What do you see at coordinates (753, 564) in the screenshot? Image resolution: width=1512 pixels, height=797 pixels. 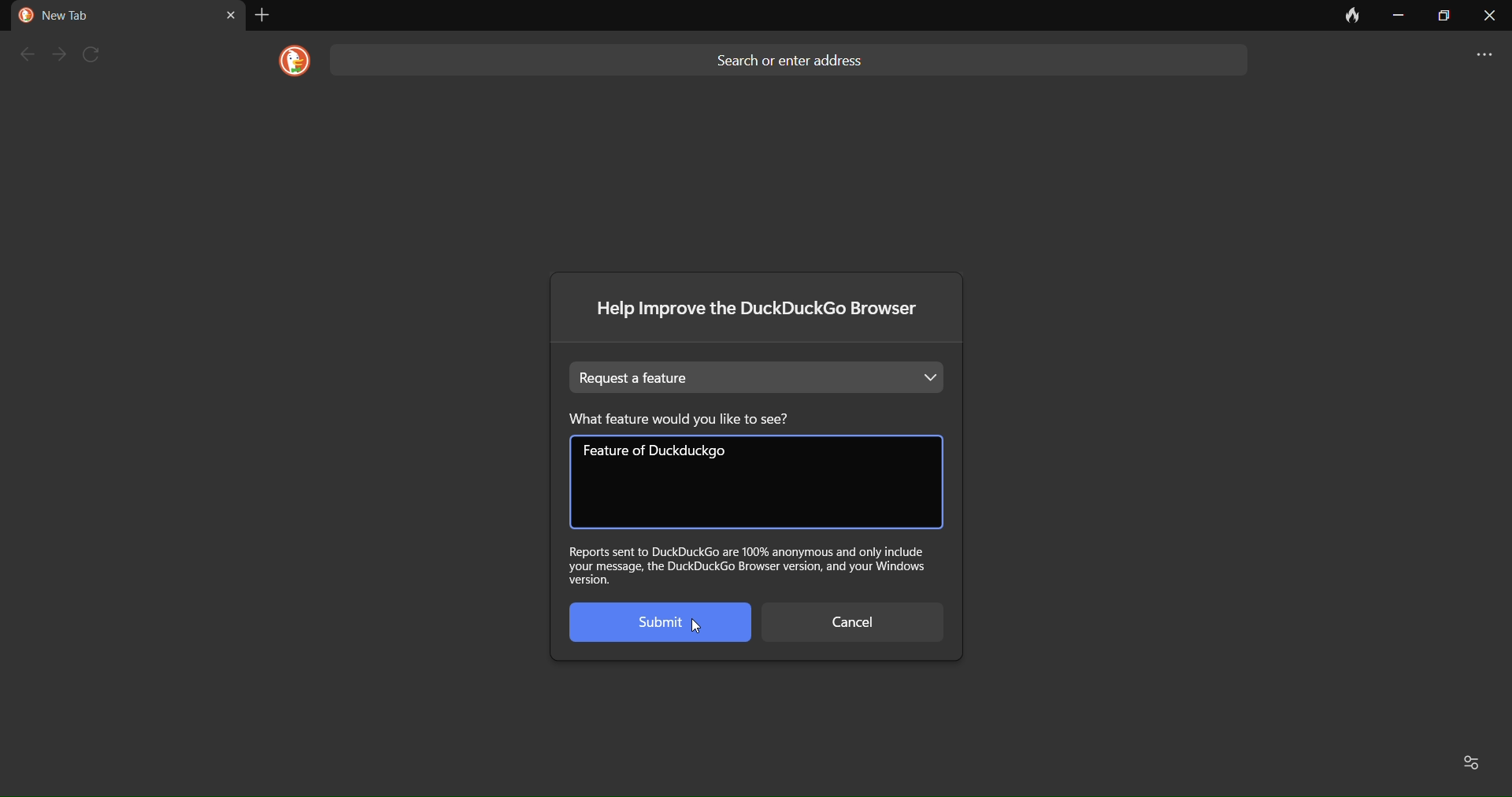 I see `Report sent to DuckDuckGo our hundred percent anonymous and only include your message, the DuckDuckGo browser version, and your Windows version` at bounding box center [753, 564].